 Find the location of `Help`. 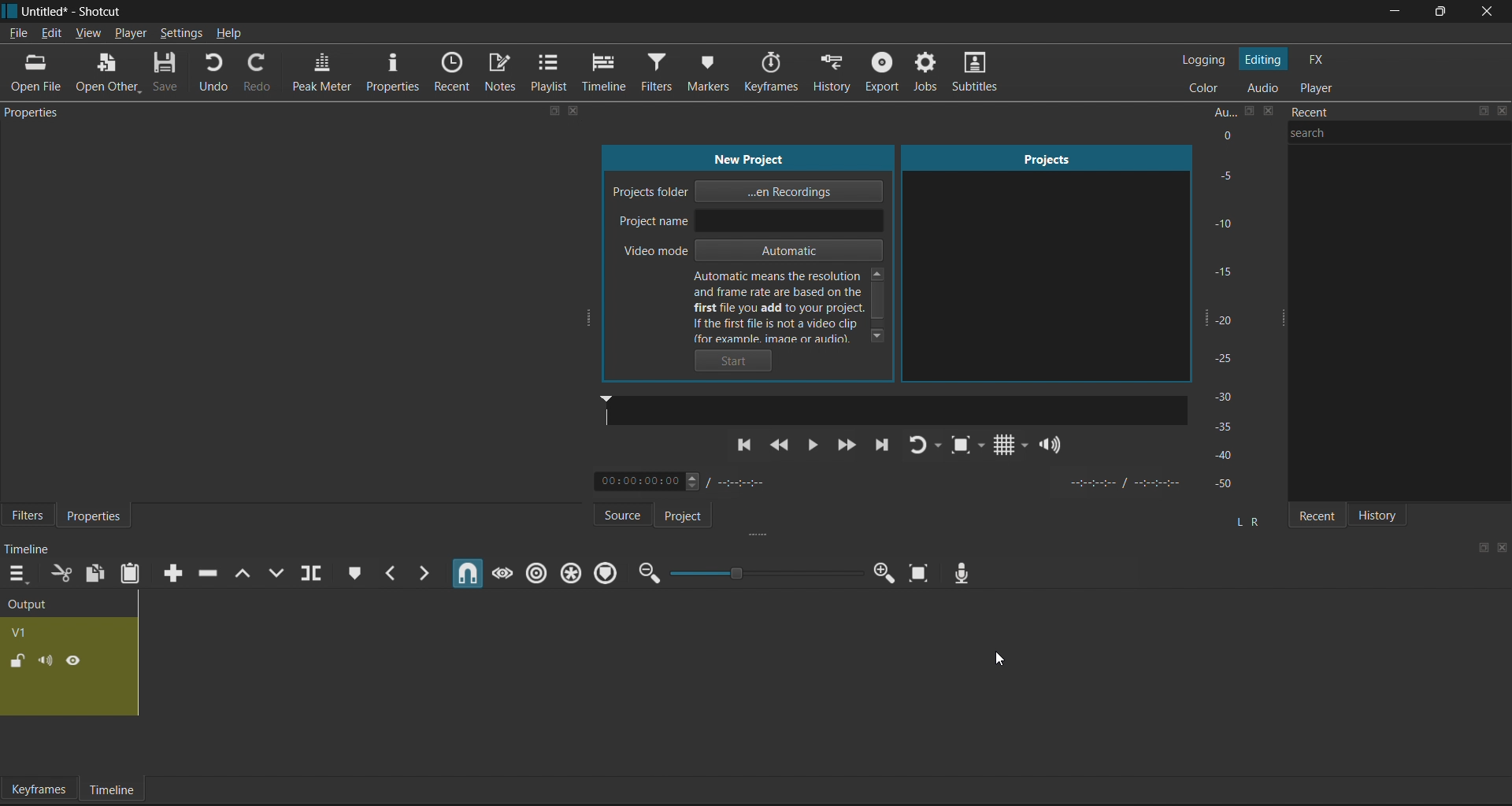

Help is located at coordinates (230, 35).